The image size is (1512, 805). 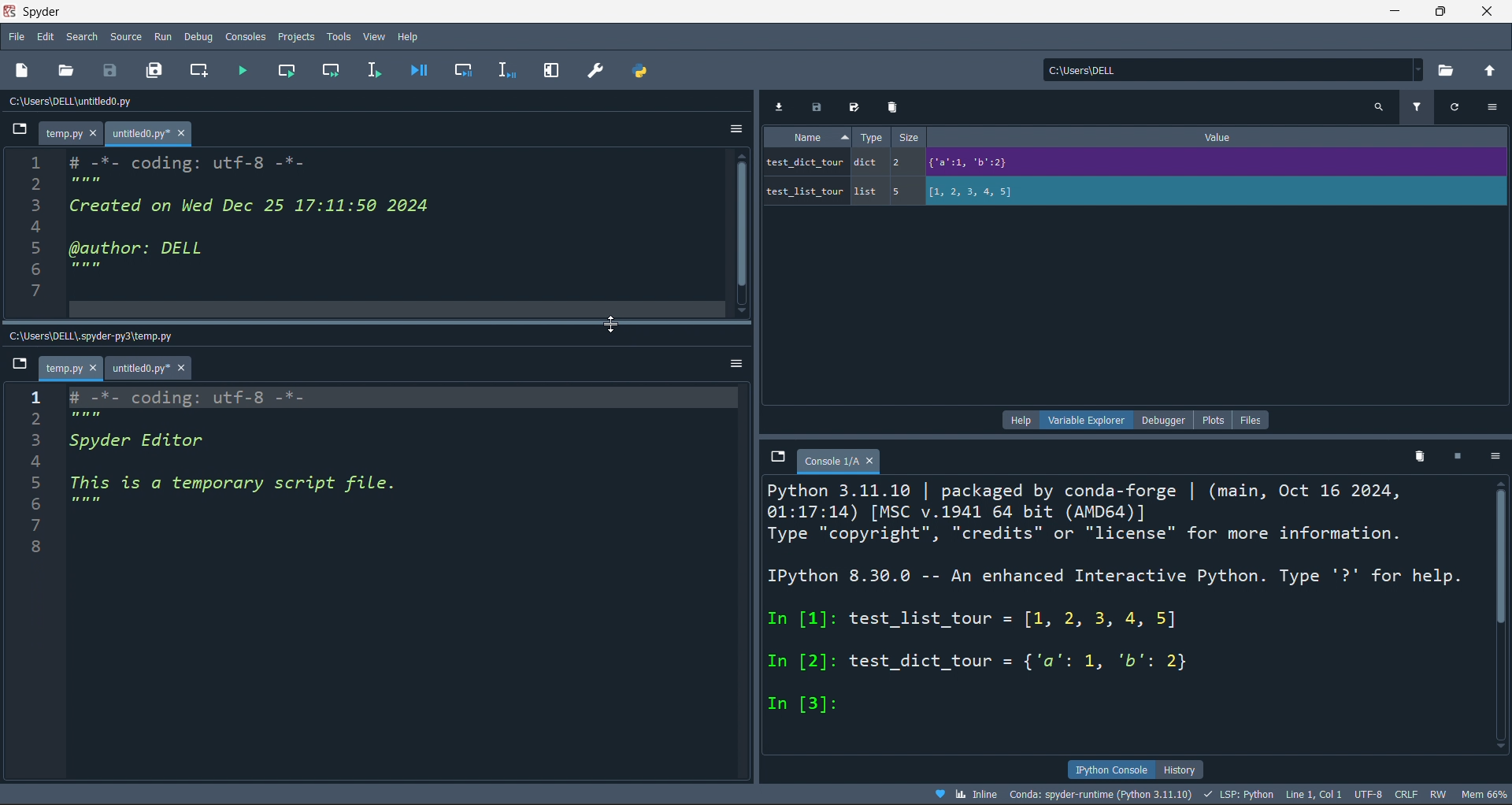 I want to click on 2 """, so click(x=83, y=183).